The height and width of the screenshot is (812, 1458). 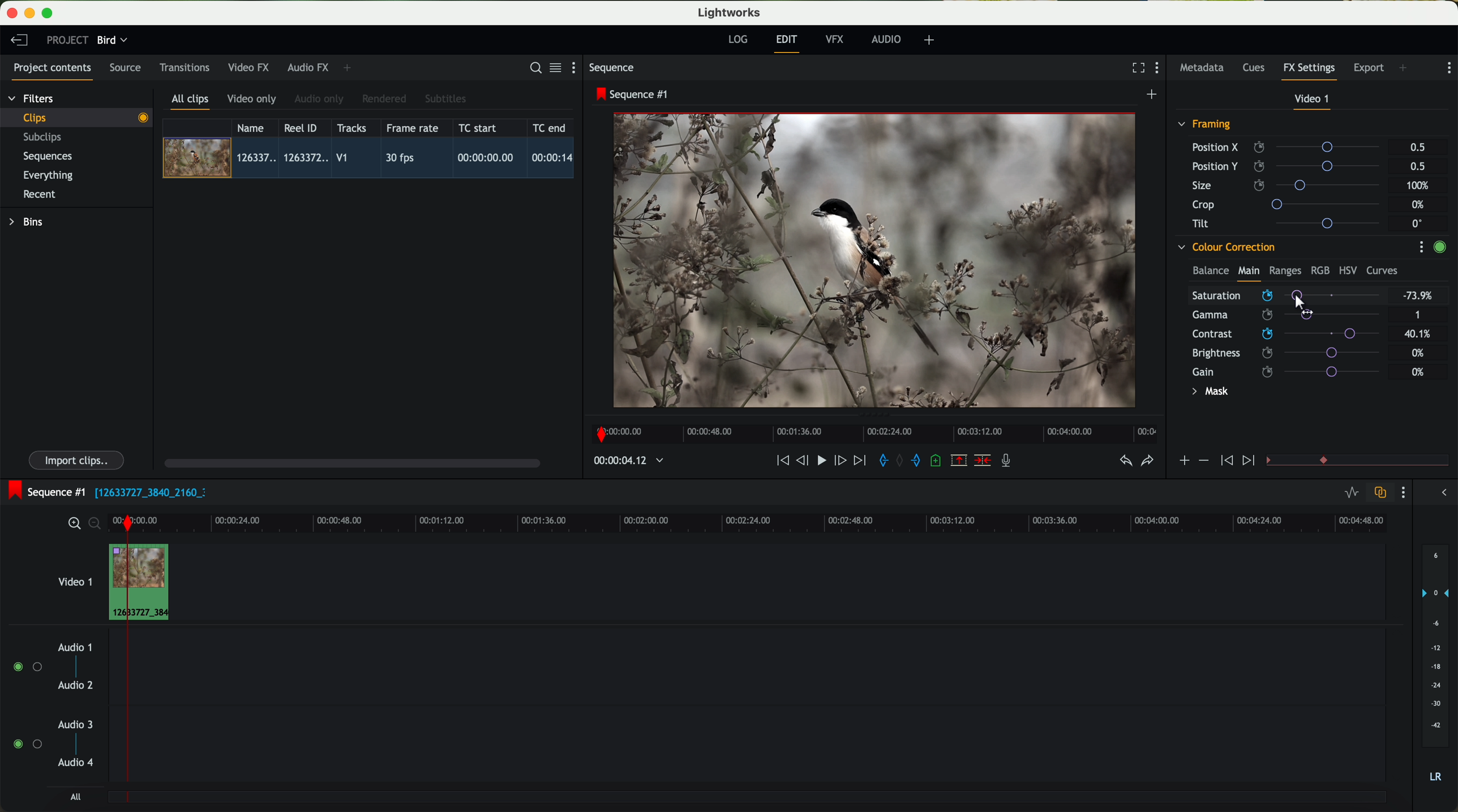 What do you see at coordinates (554, 67) in the screenshot?
I see `toggle between list and title view` at bounding box center [554, 67].